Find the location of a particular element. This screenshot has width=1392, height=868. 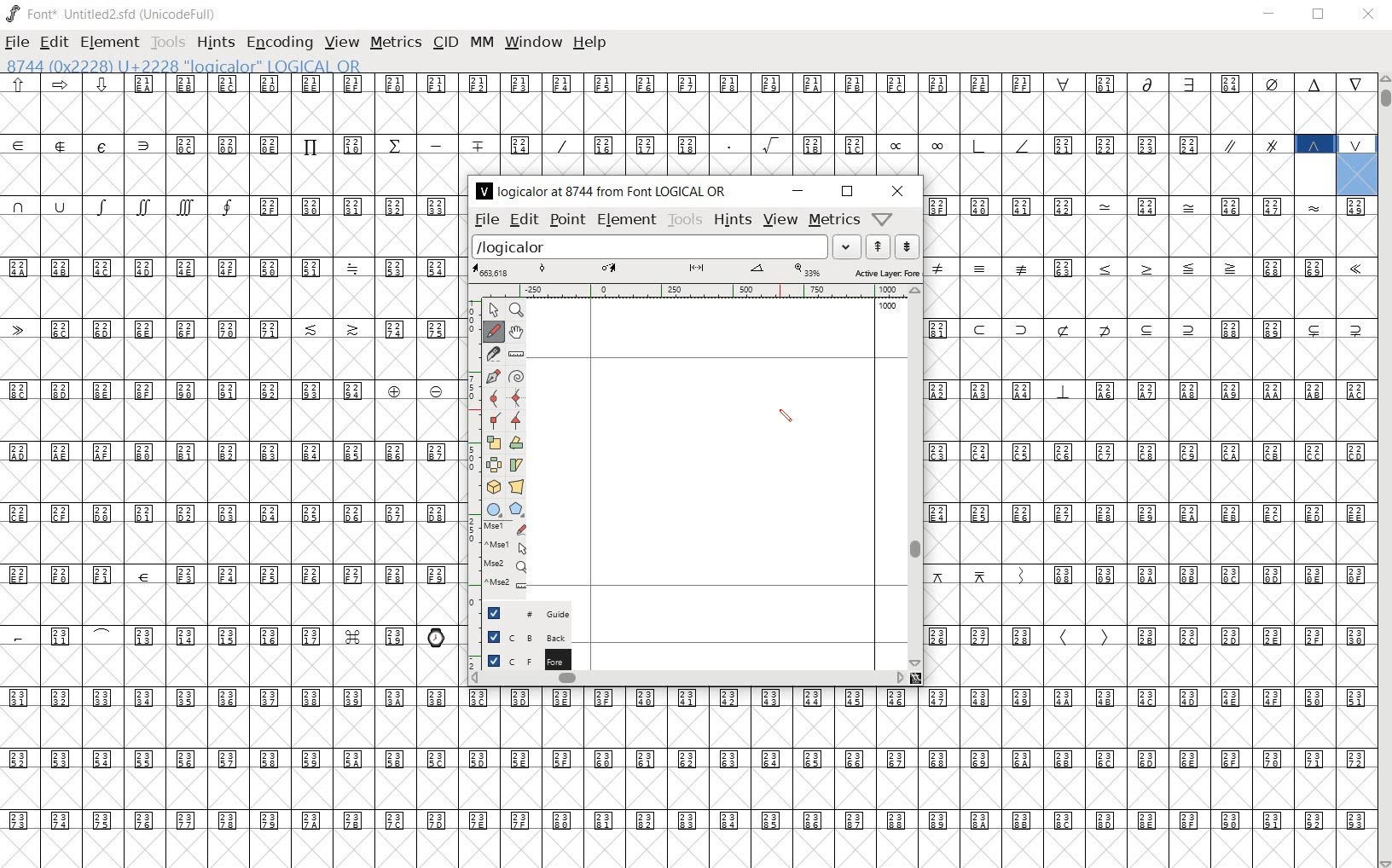

minimize is located at coordinates (799, 189).